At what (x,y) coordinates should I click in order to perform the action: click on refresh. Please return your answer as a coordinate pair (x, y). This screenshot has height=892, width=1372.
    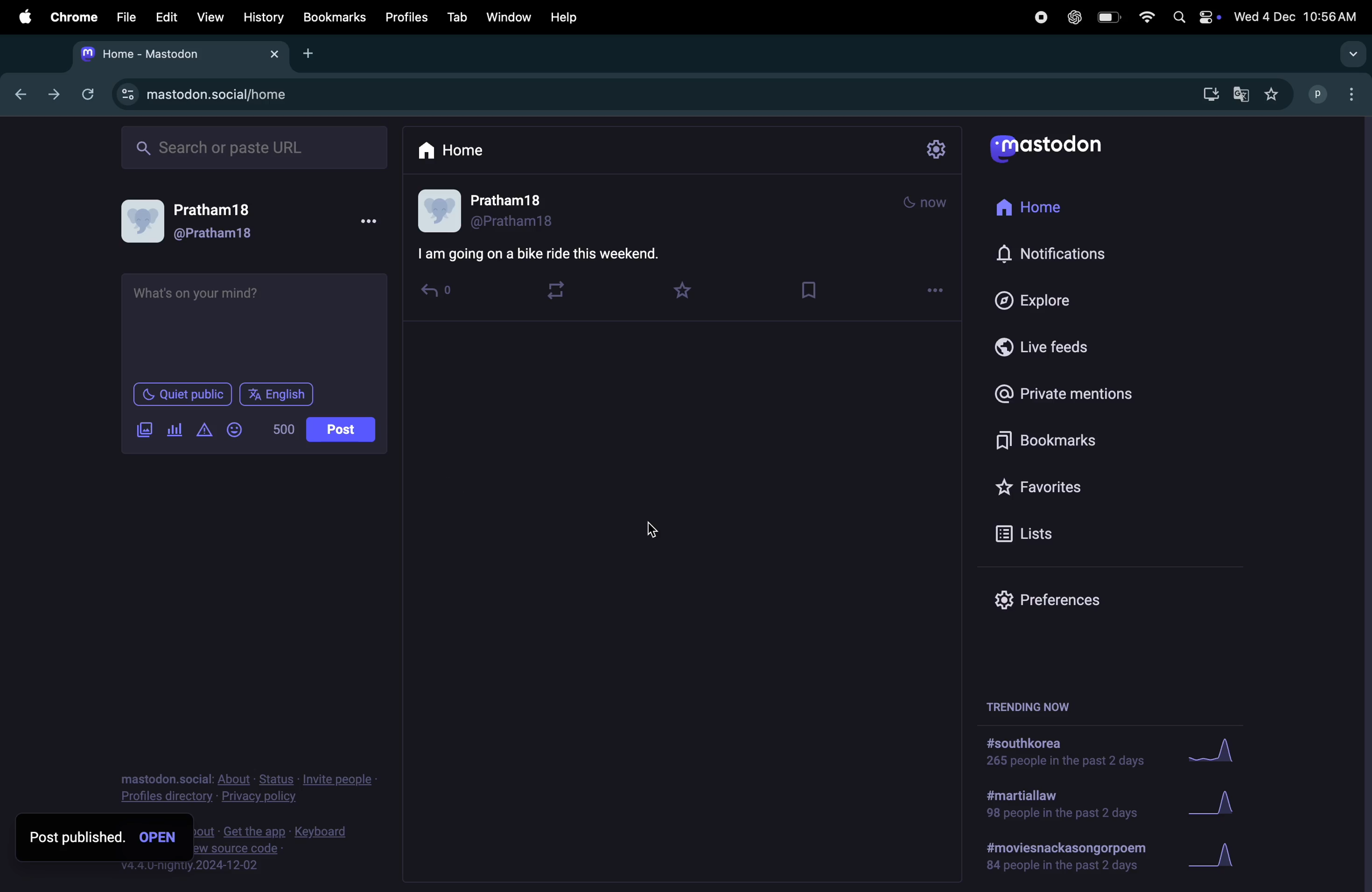
    Looking at the image, I should click on (91, 92).